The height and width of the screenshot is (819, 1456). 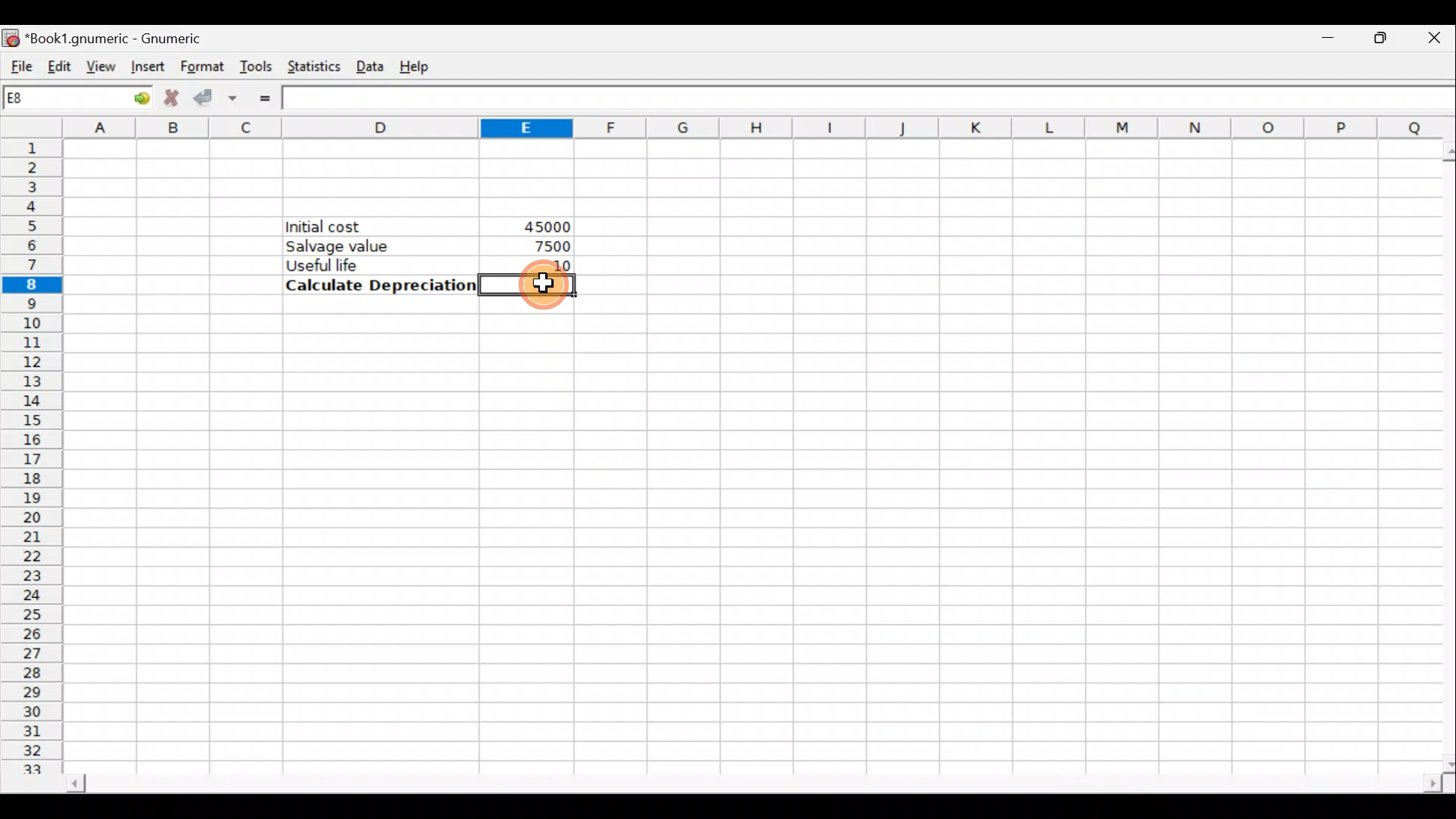 What do you see at coordinates (869, 98) in the screenshot?
I see `Formula bar` at bounding box center [869, 98].